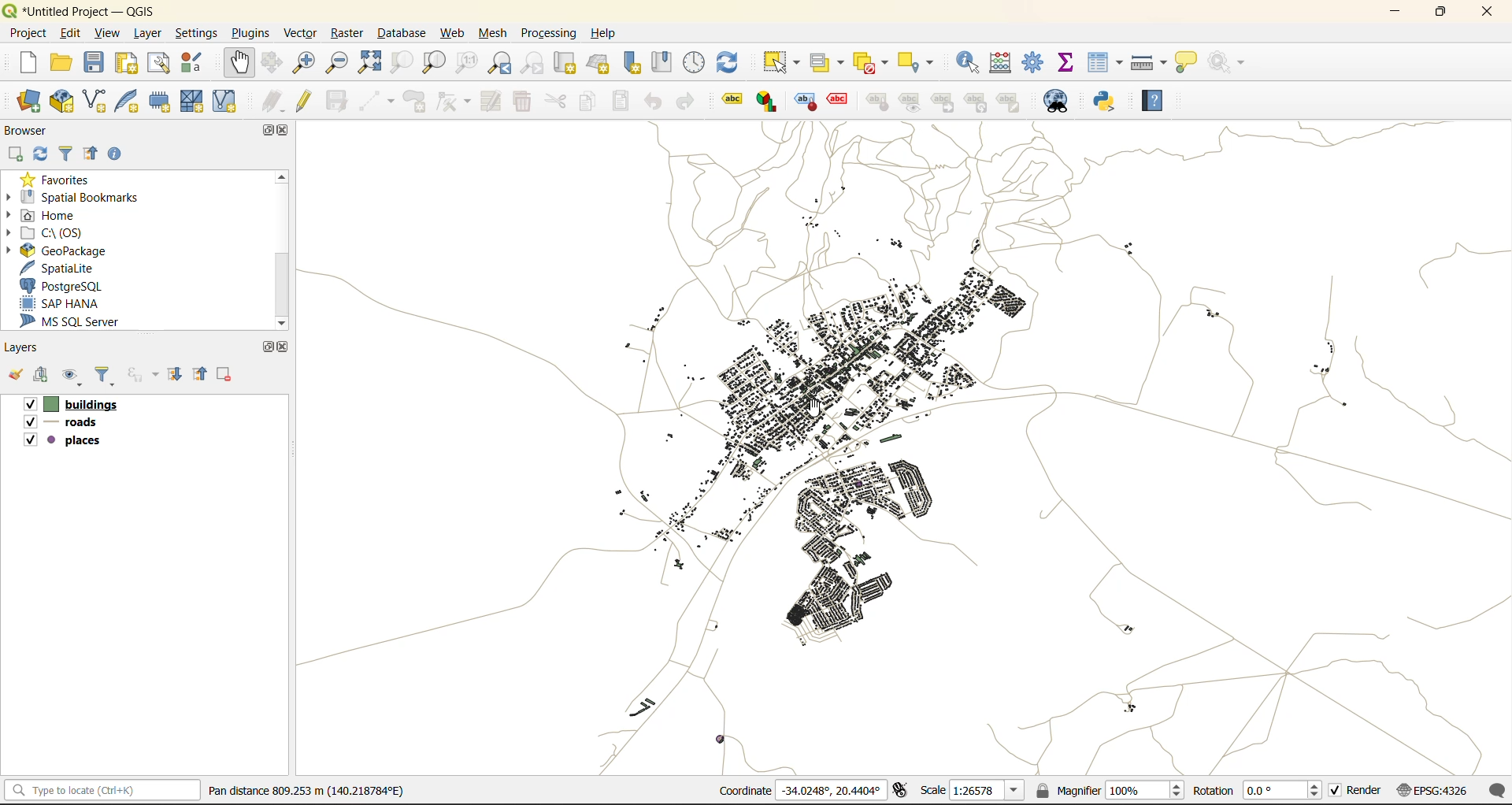 The image size is (1512, 805). I want to click on c\:os, so click(56, 233).